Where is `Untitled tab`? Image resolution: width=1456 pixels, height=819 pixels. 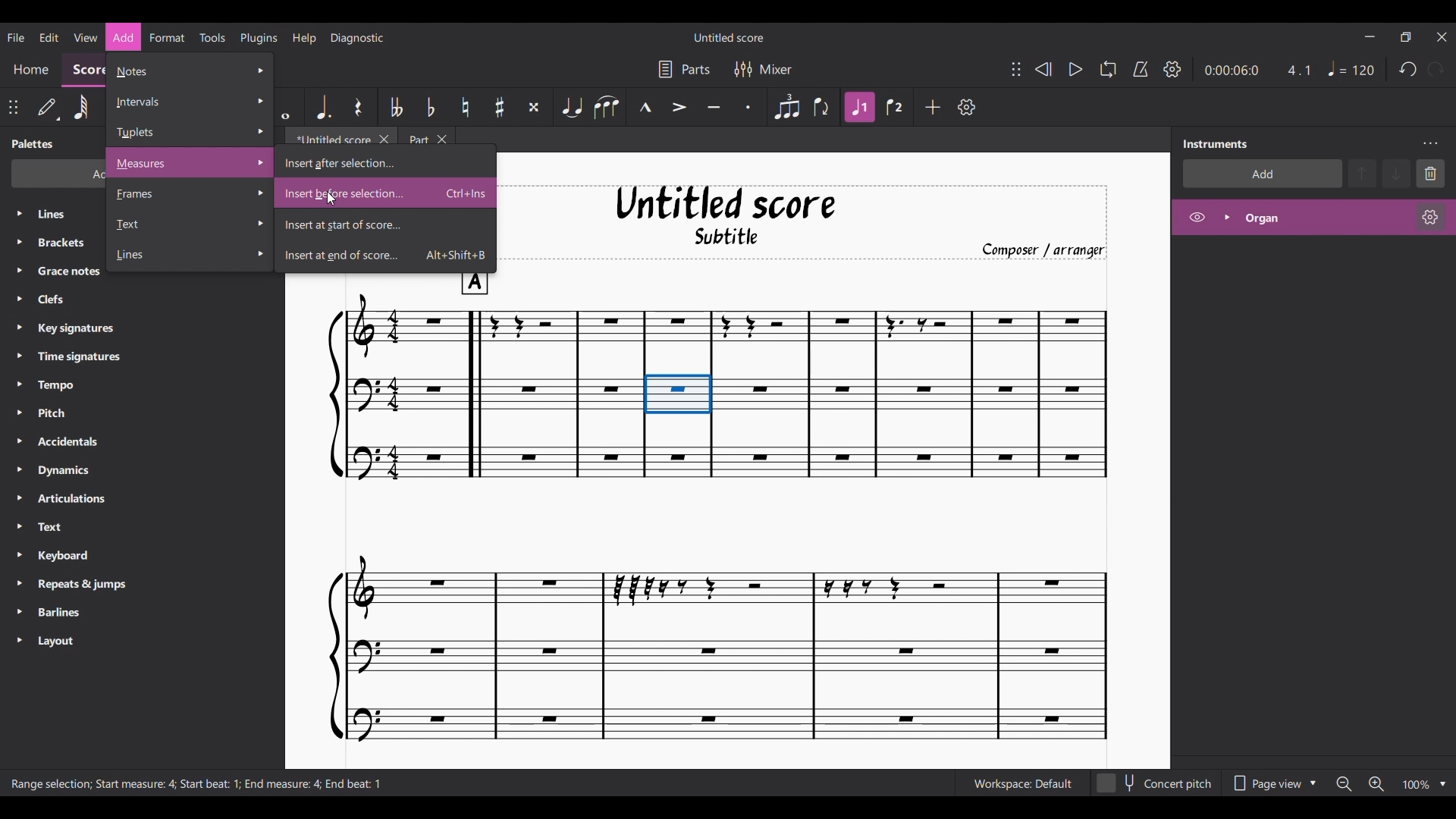 Untitled tab is located at coordinates (331, 140).